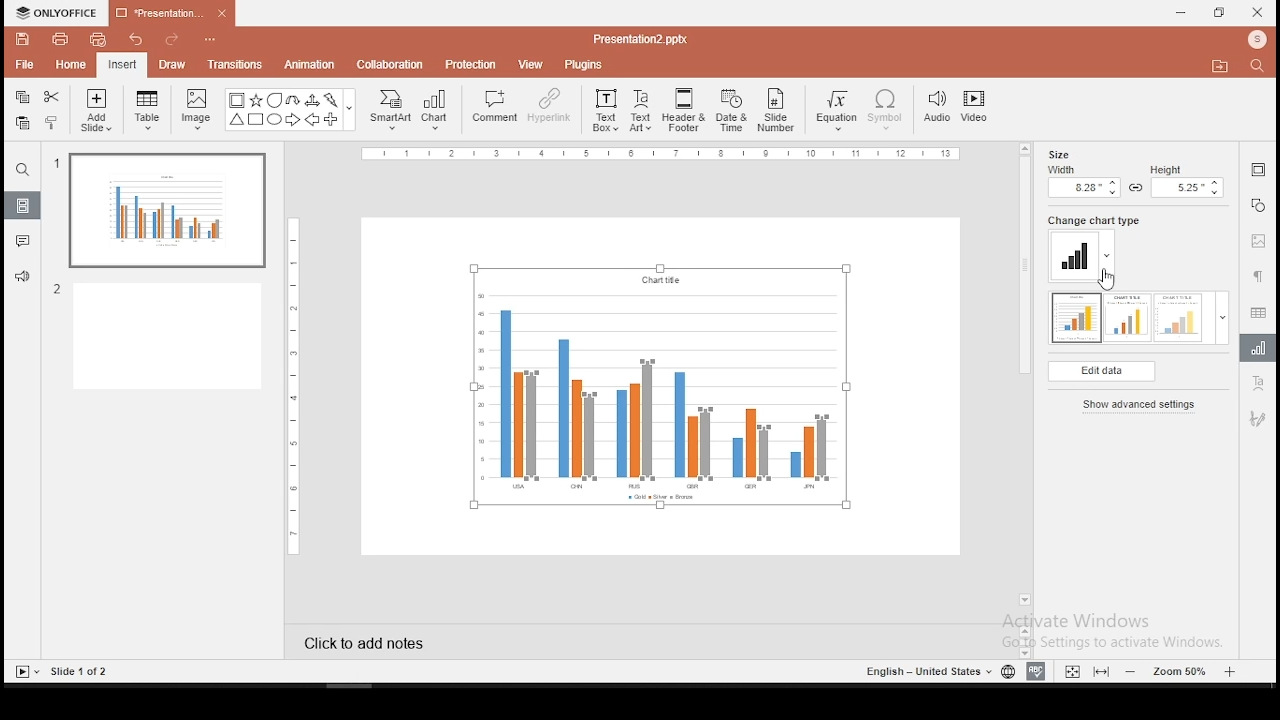 The image size is (1280, 720). What do you see at coordinates (1101, 371) in the screenshot?
I see `edit data` at bounding box center [1101, 371].